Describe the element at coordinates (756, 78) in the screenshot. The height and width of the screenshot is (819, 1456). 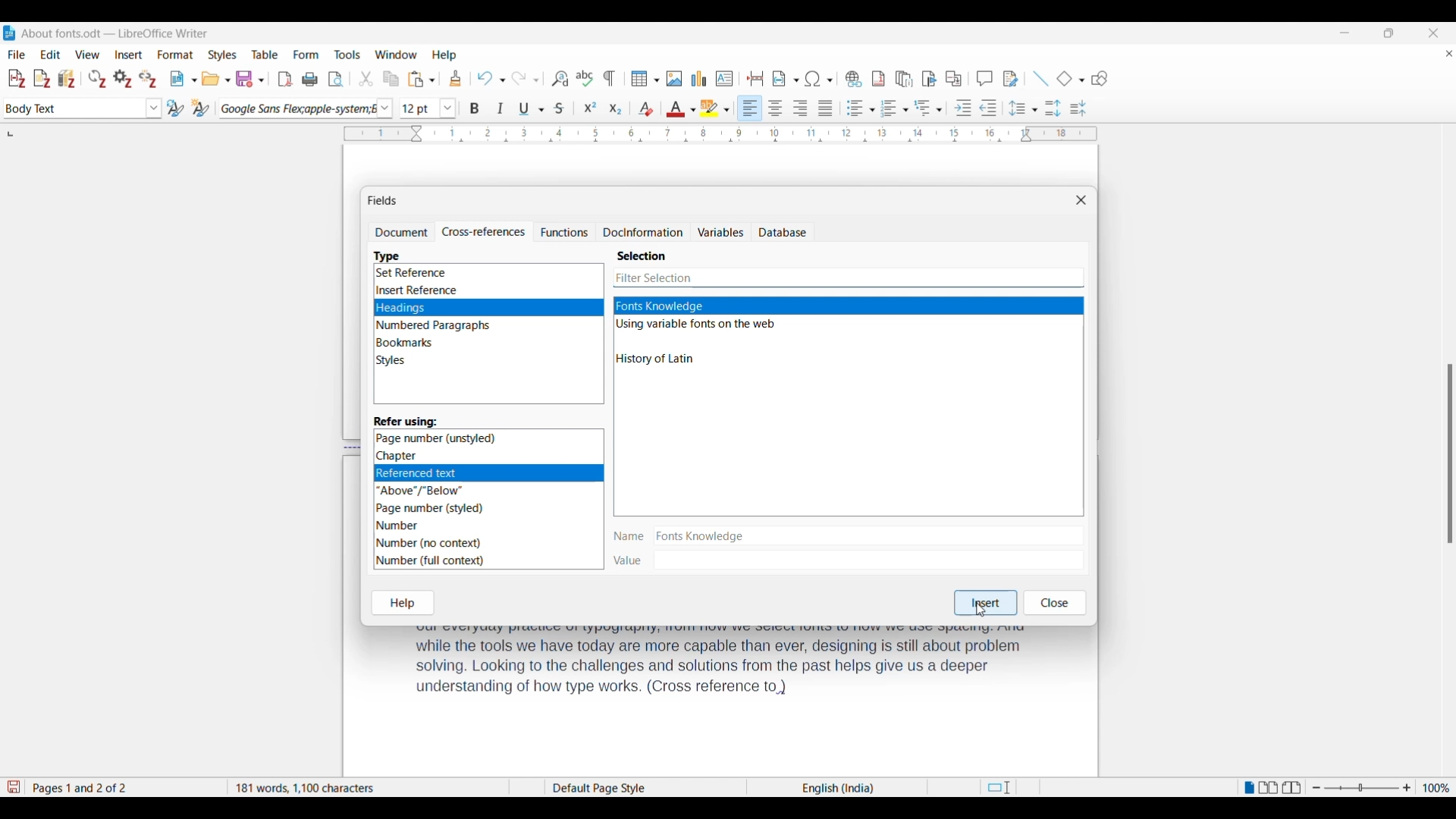
I see `Insert page break` at that location.